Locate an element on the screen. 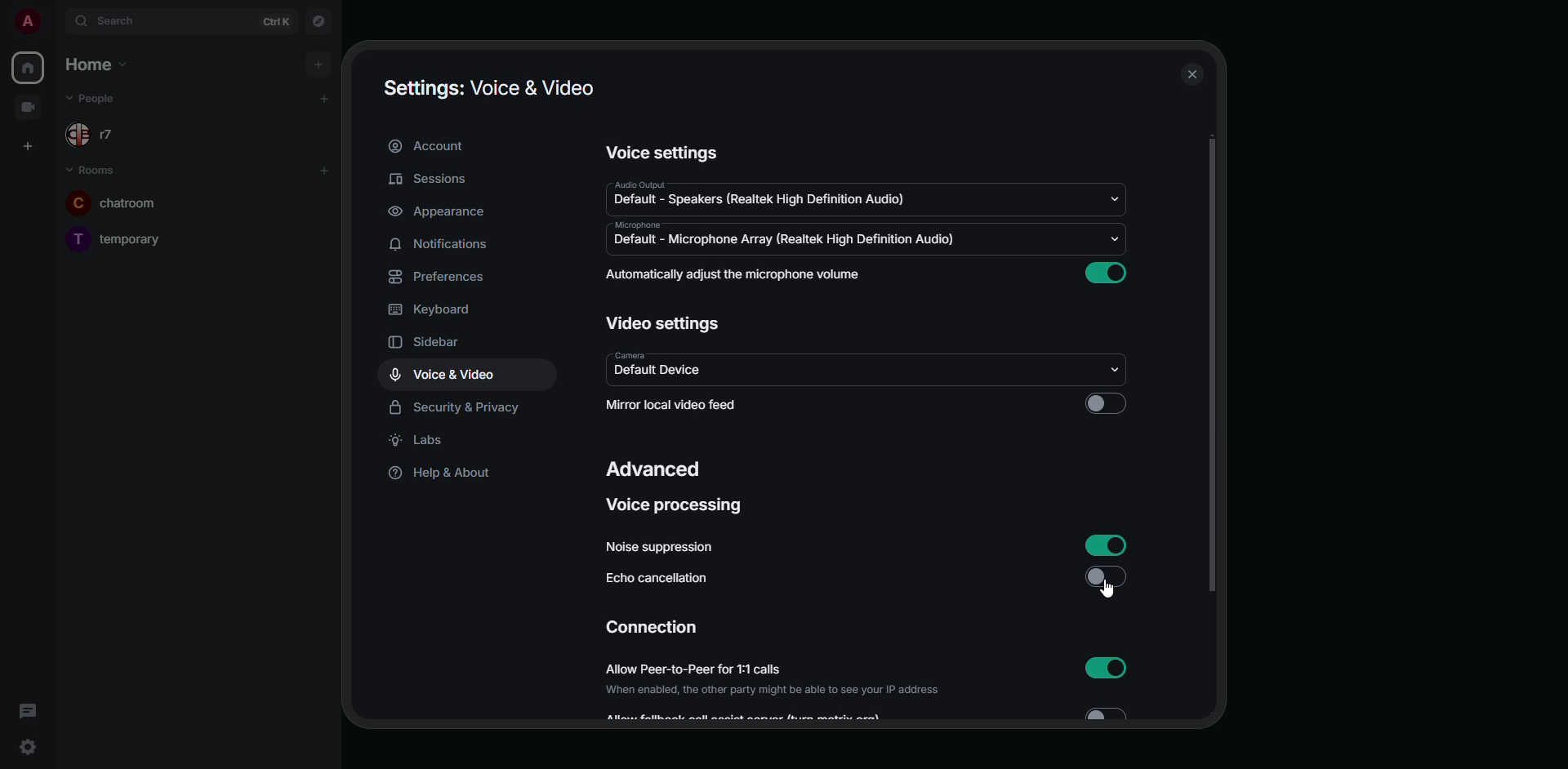  create space is located at coordinates (27, 146).